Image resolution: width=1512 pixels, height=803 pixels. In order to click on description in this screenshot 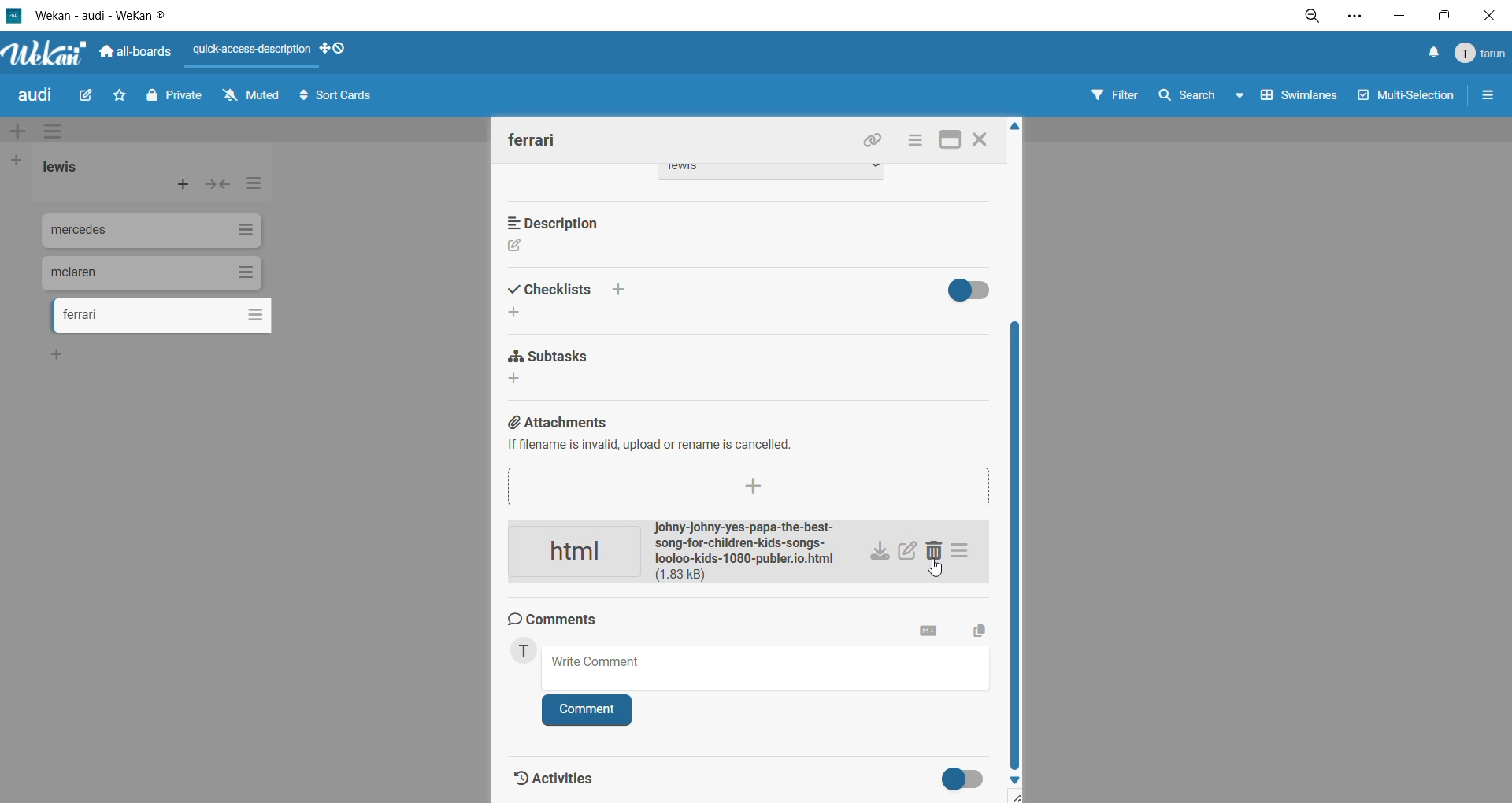, I will do `click(563, 221)`.